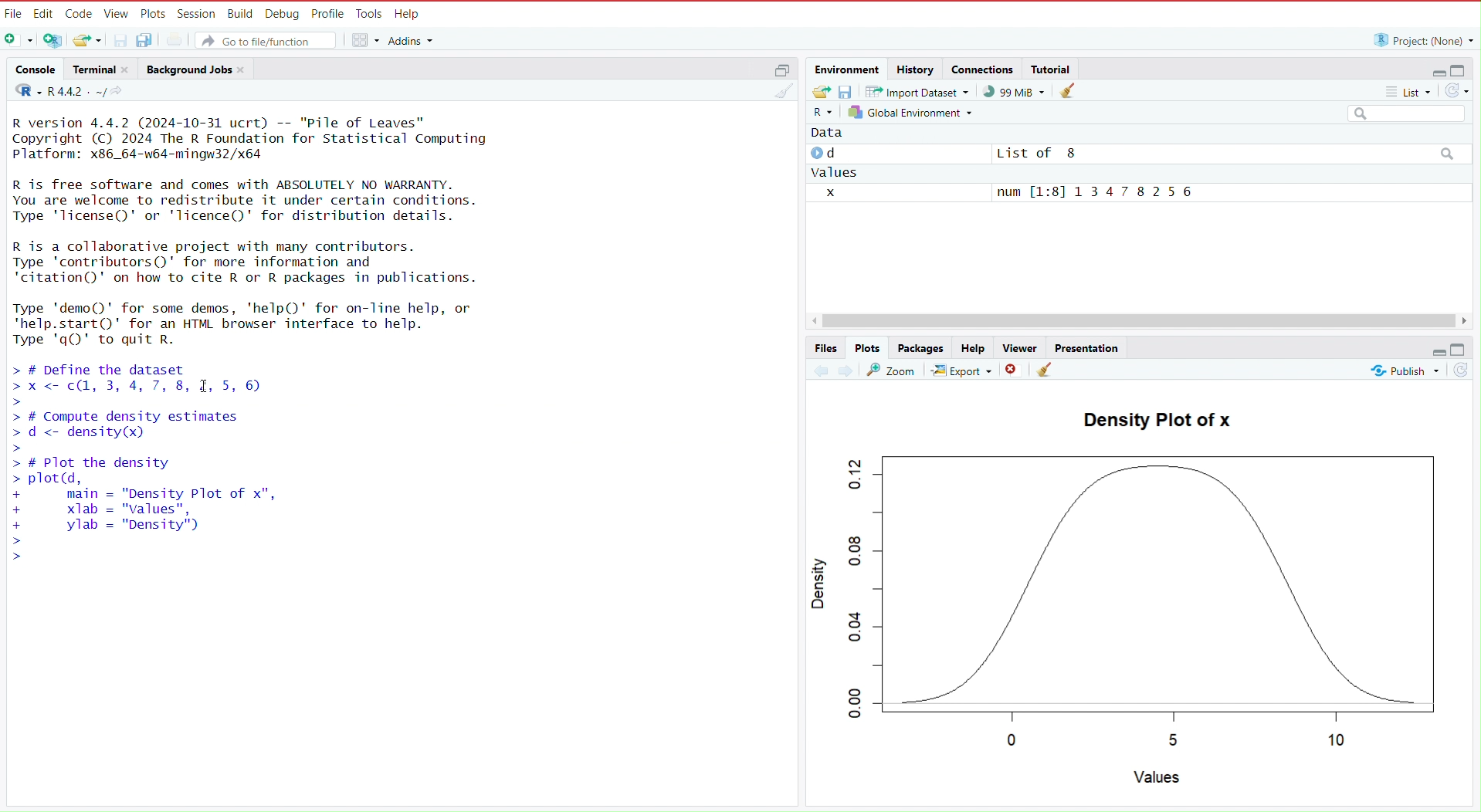 This screenshot has width=1481, height=812. Describe the element at coordinates (1466, 371) in the screenshot. I see `refresh current plot` at that location.